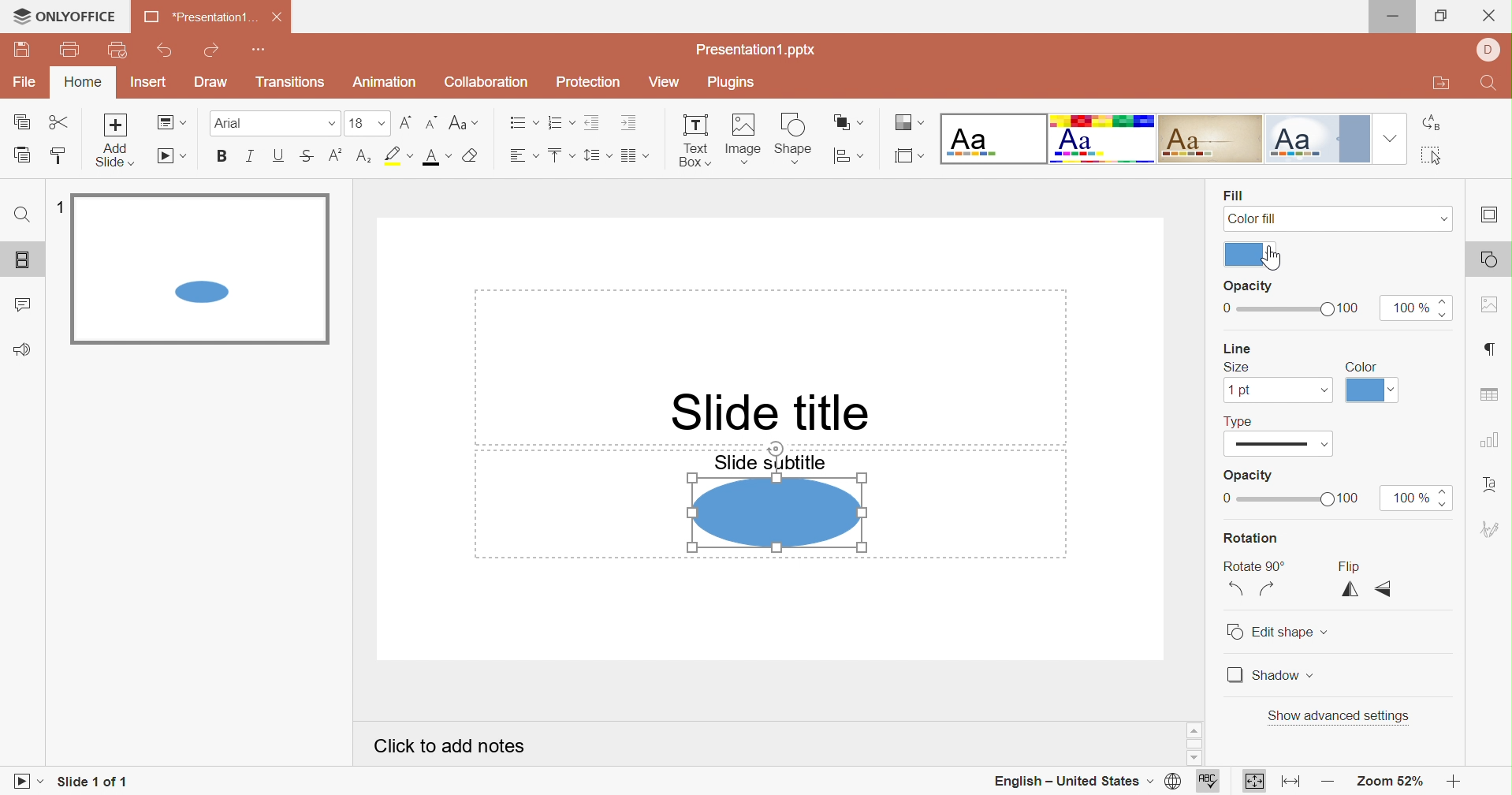 The height and width of the screenshot is (795, 1512). What do you see at coordinates (1284, 308) in the screenshot?
I see `Slider` at bounding box center [1284, 308].